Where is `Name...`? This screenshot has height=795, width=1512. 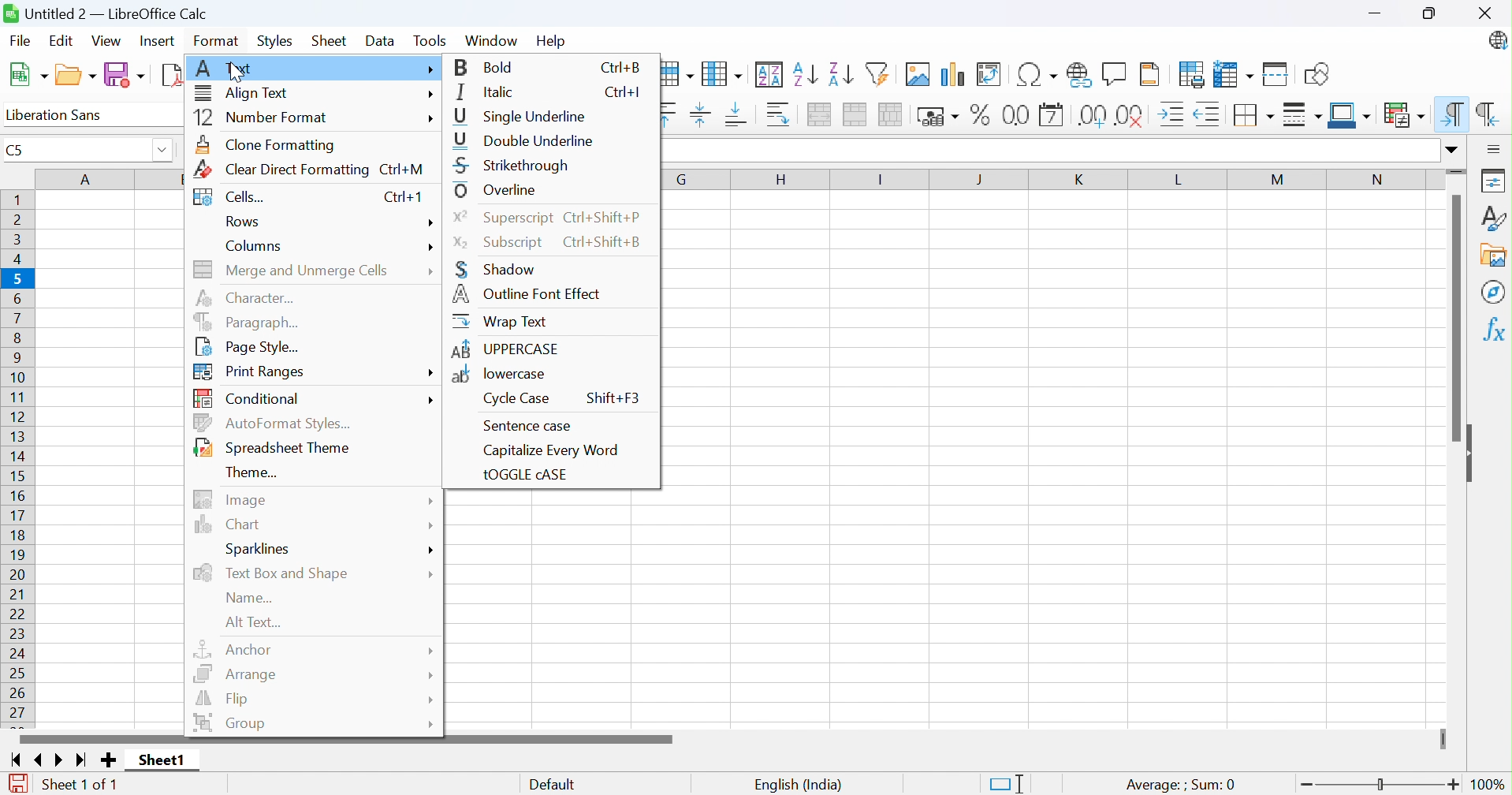
Name... is located at coordinates (251, 599).